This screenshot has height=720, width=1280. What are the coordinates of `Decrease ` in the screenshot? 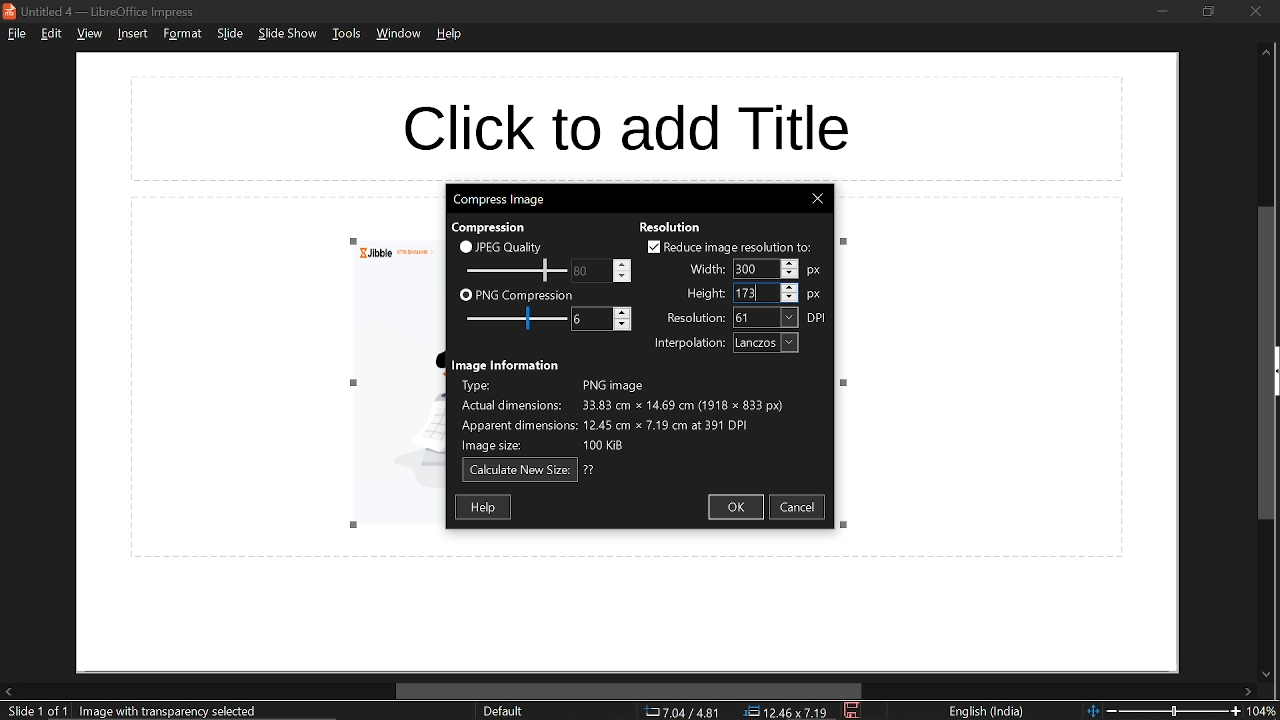 It's located at (623, 276).